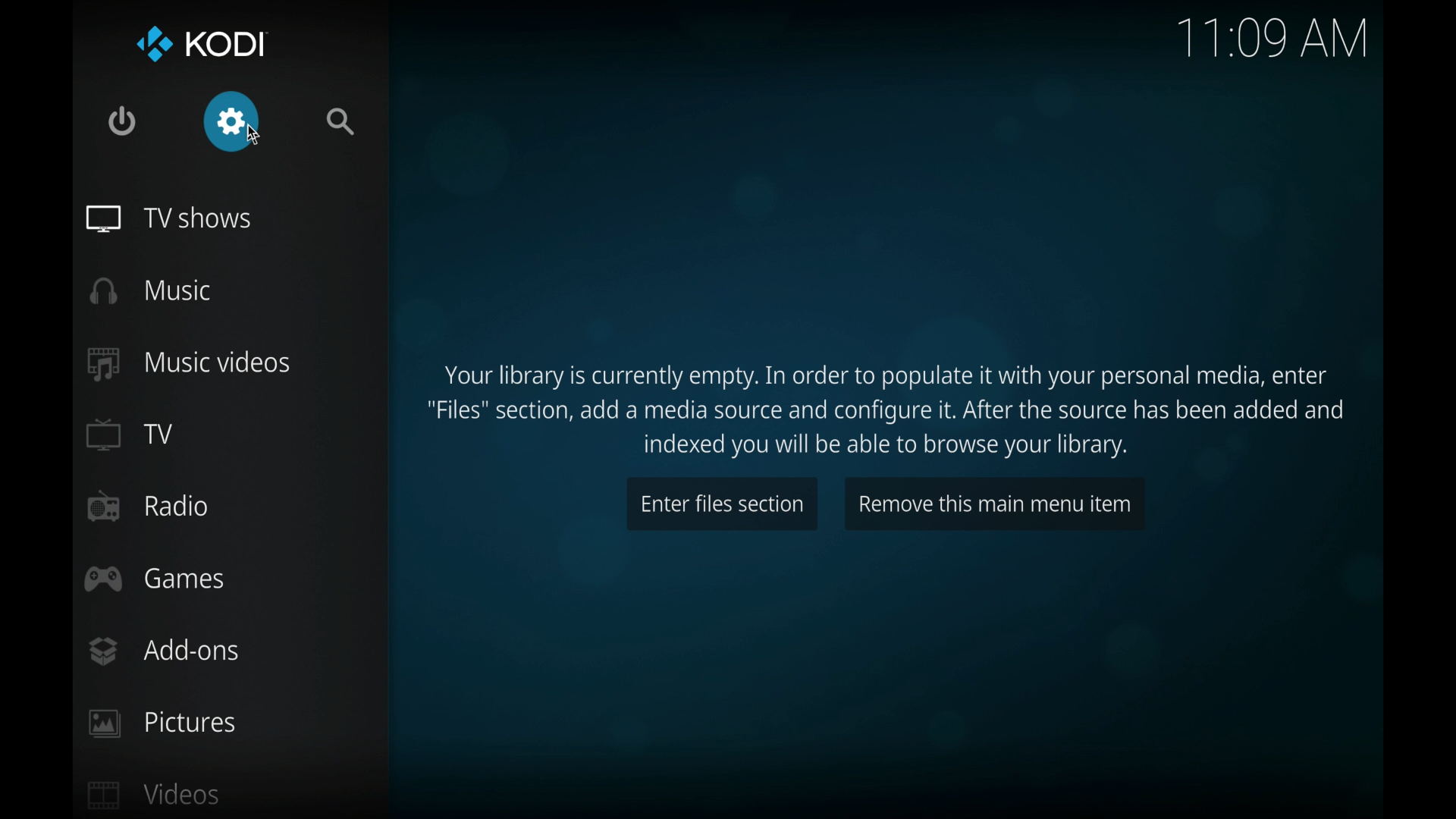  Describe the element at coordinates (162, 723) in the screenshot. I see `pictures` at that location.